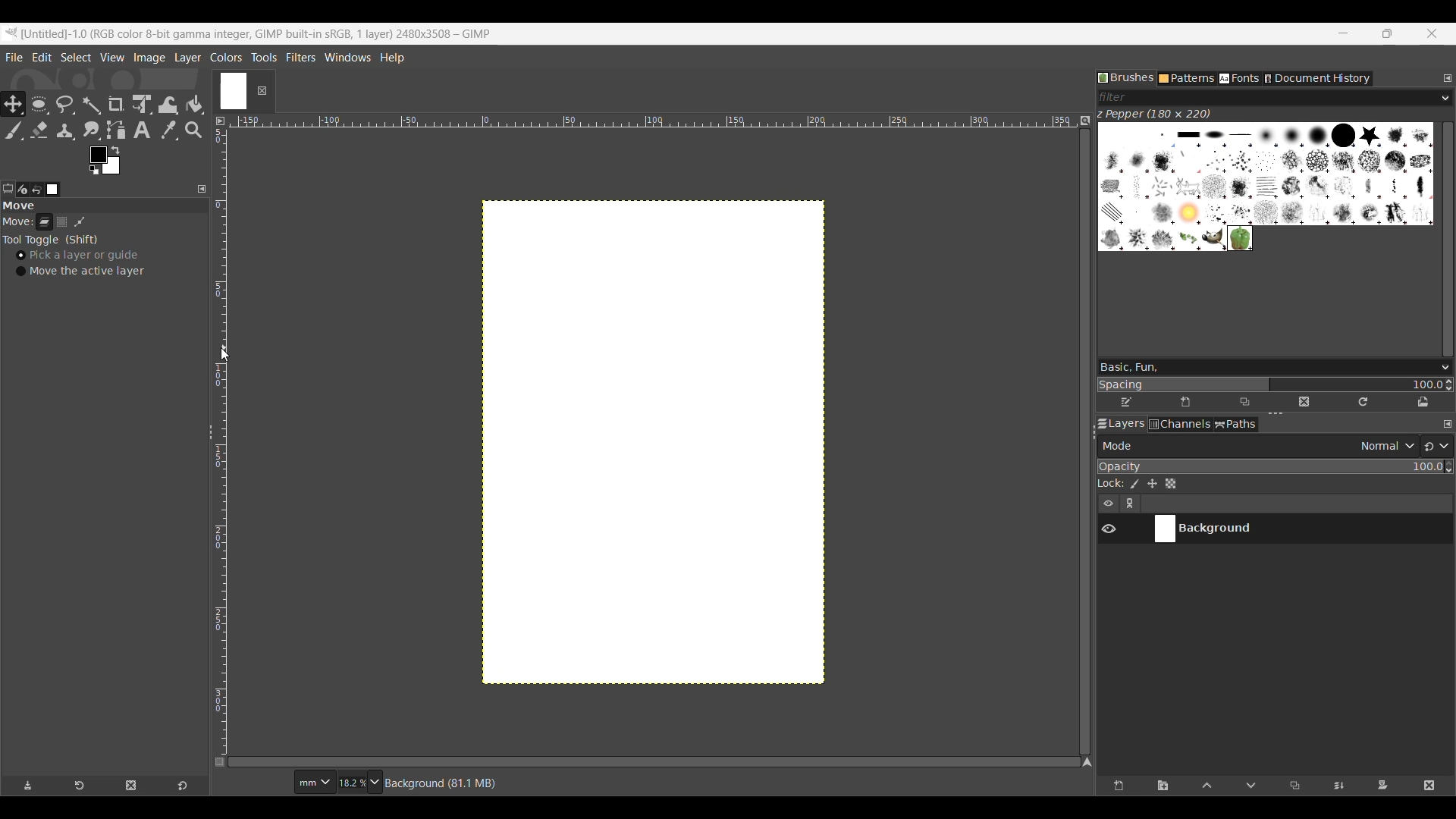  Describe the element at coordinates (376, 783) in the screenshot. I see `Zoom options` at that location.